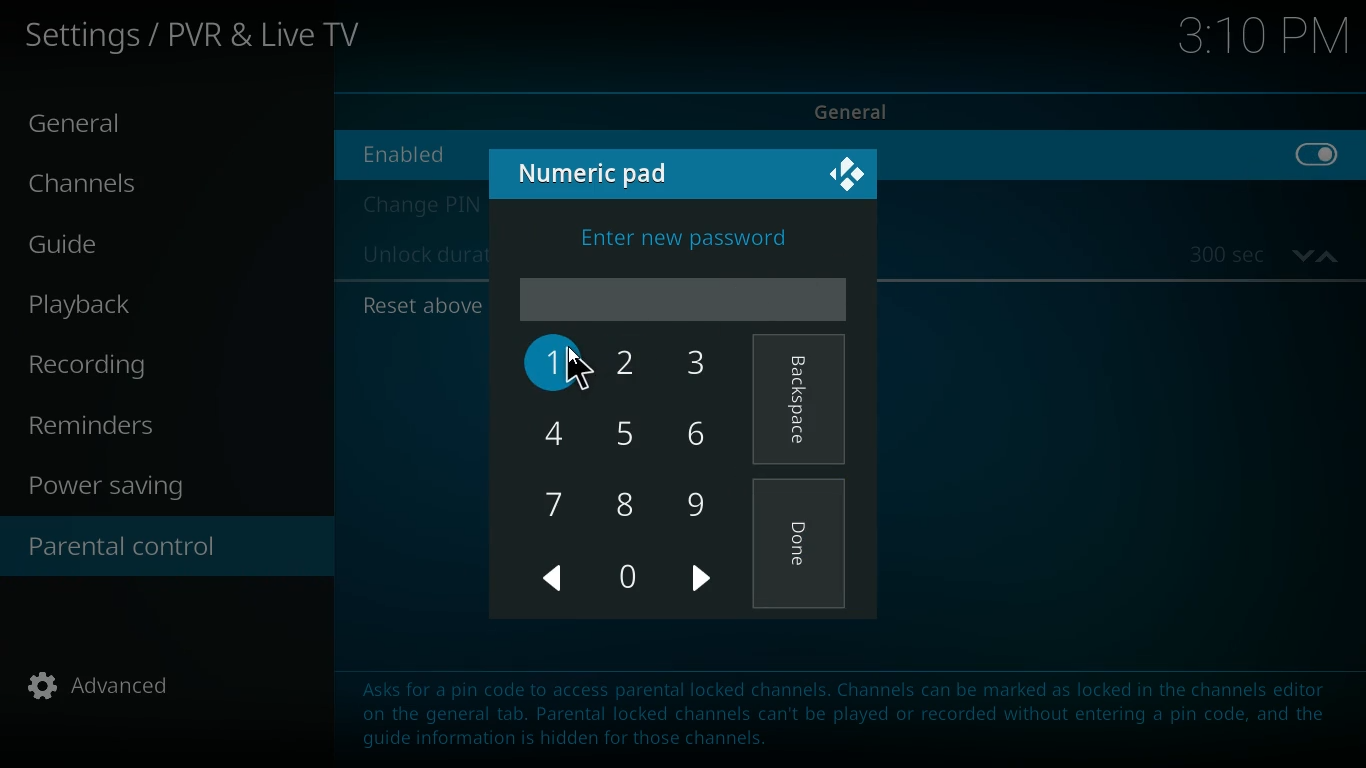  Describe the element at coordinates (686, 234) in the screenshot. I see `enter new password` at that location.